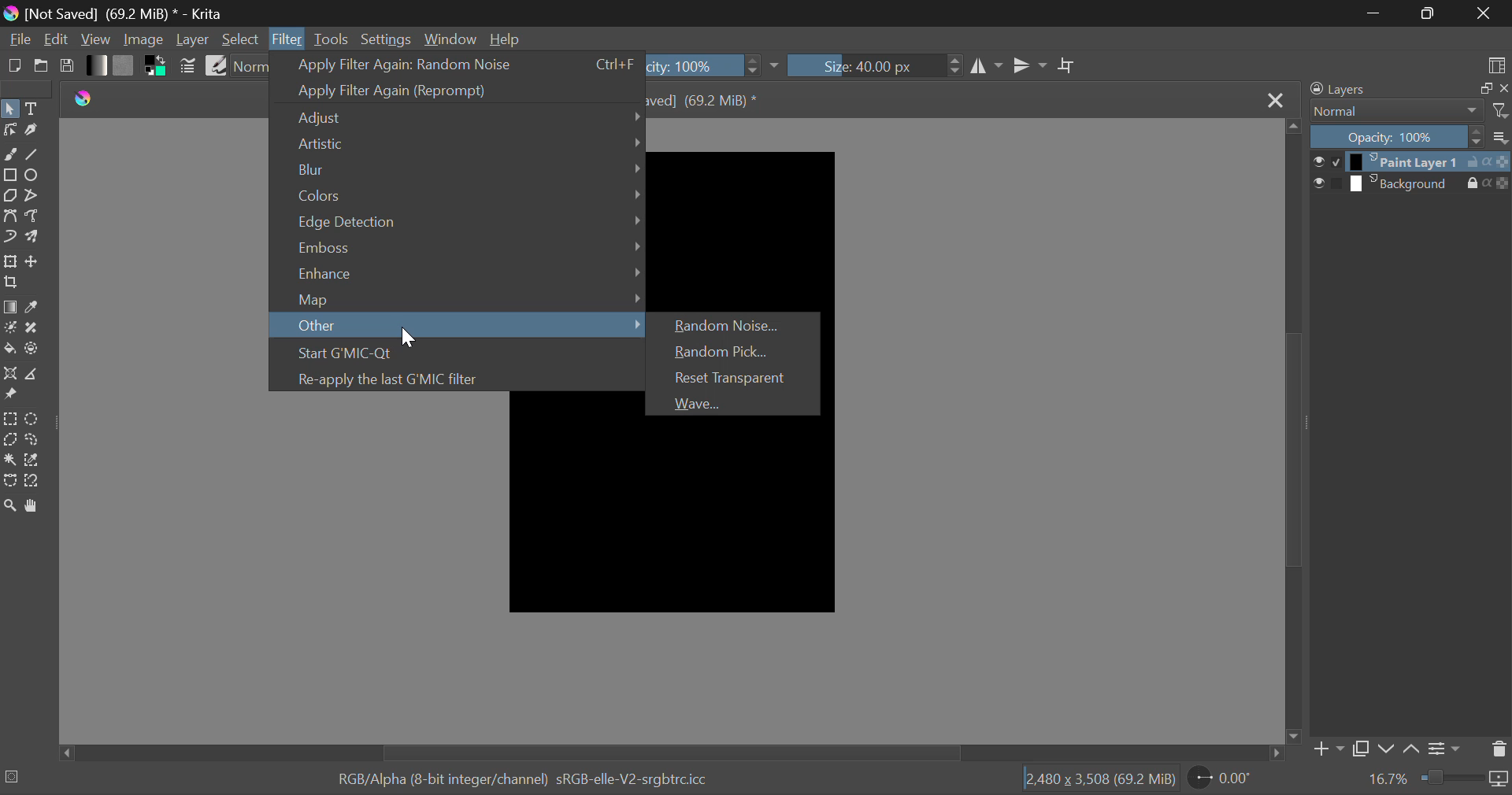  What do you see at coordinates (1293, 429) in the screenshot?
I see `Scroll Bar` at bounding box center [1293, 429].